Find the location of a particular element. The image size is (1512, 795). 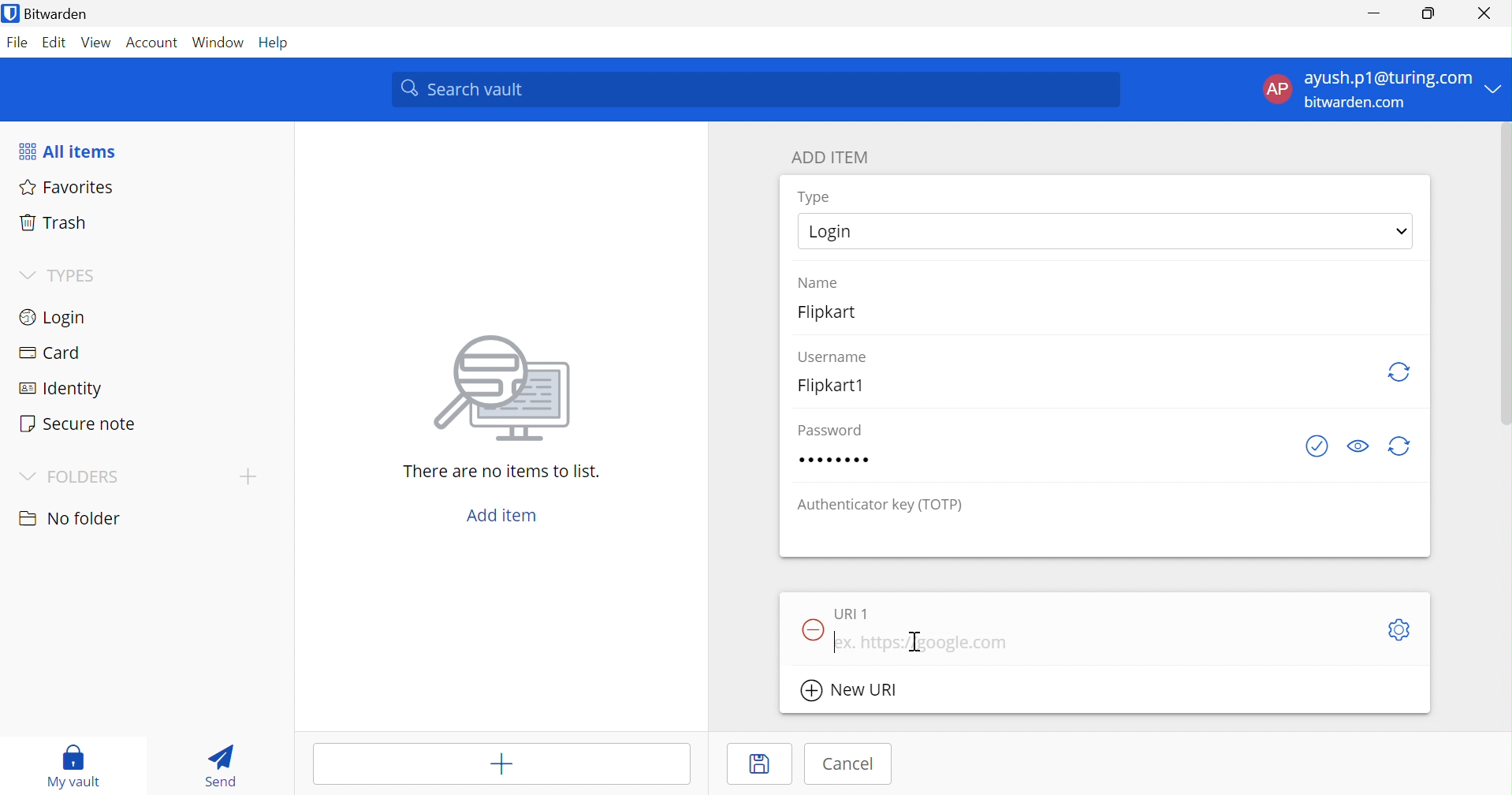

Toggle Visibility is located at coordinates (1361, 444).